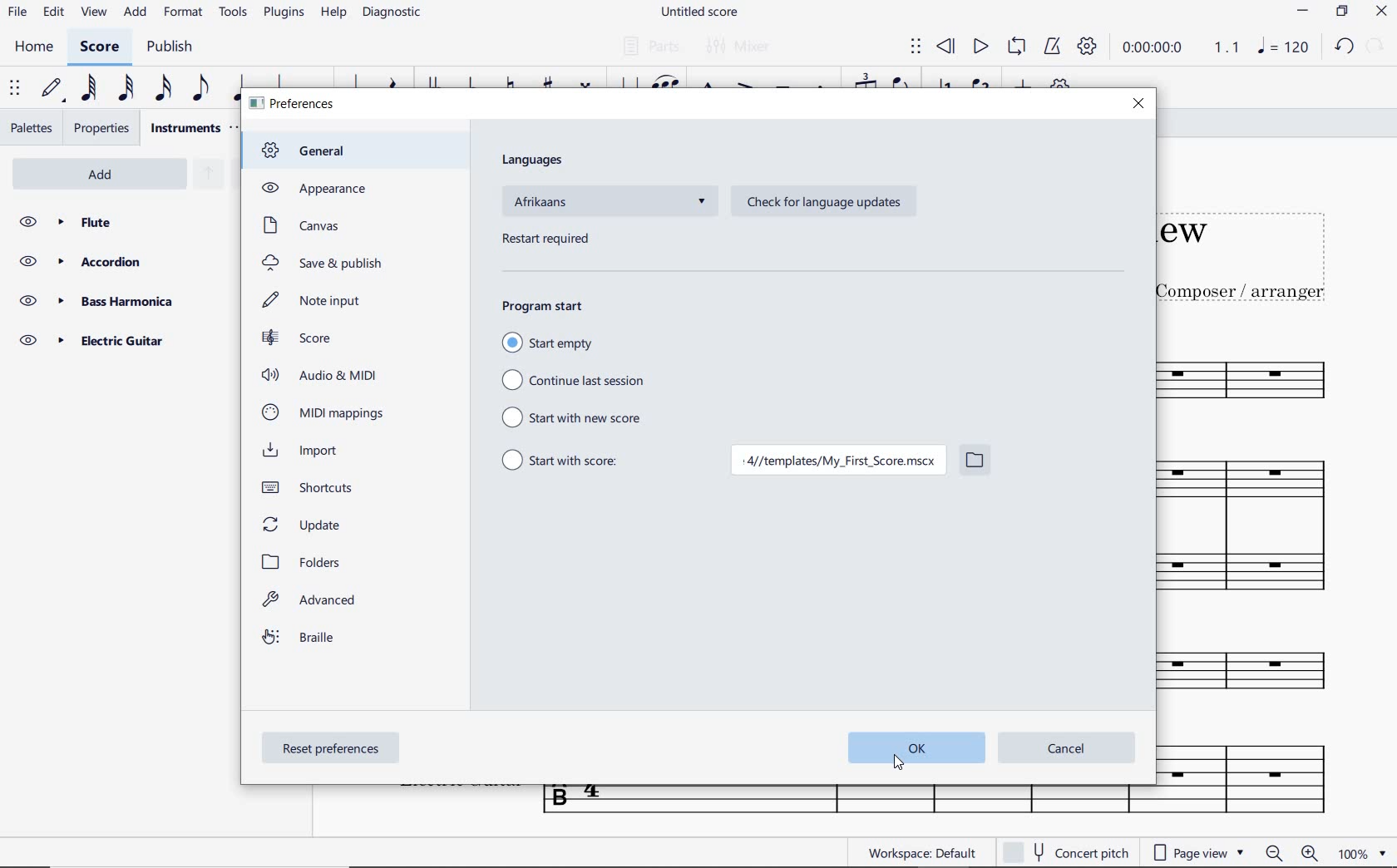 The width and height of the screenshot is (1397, 868). I want to click on general, so click(313, 152).